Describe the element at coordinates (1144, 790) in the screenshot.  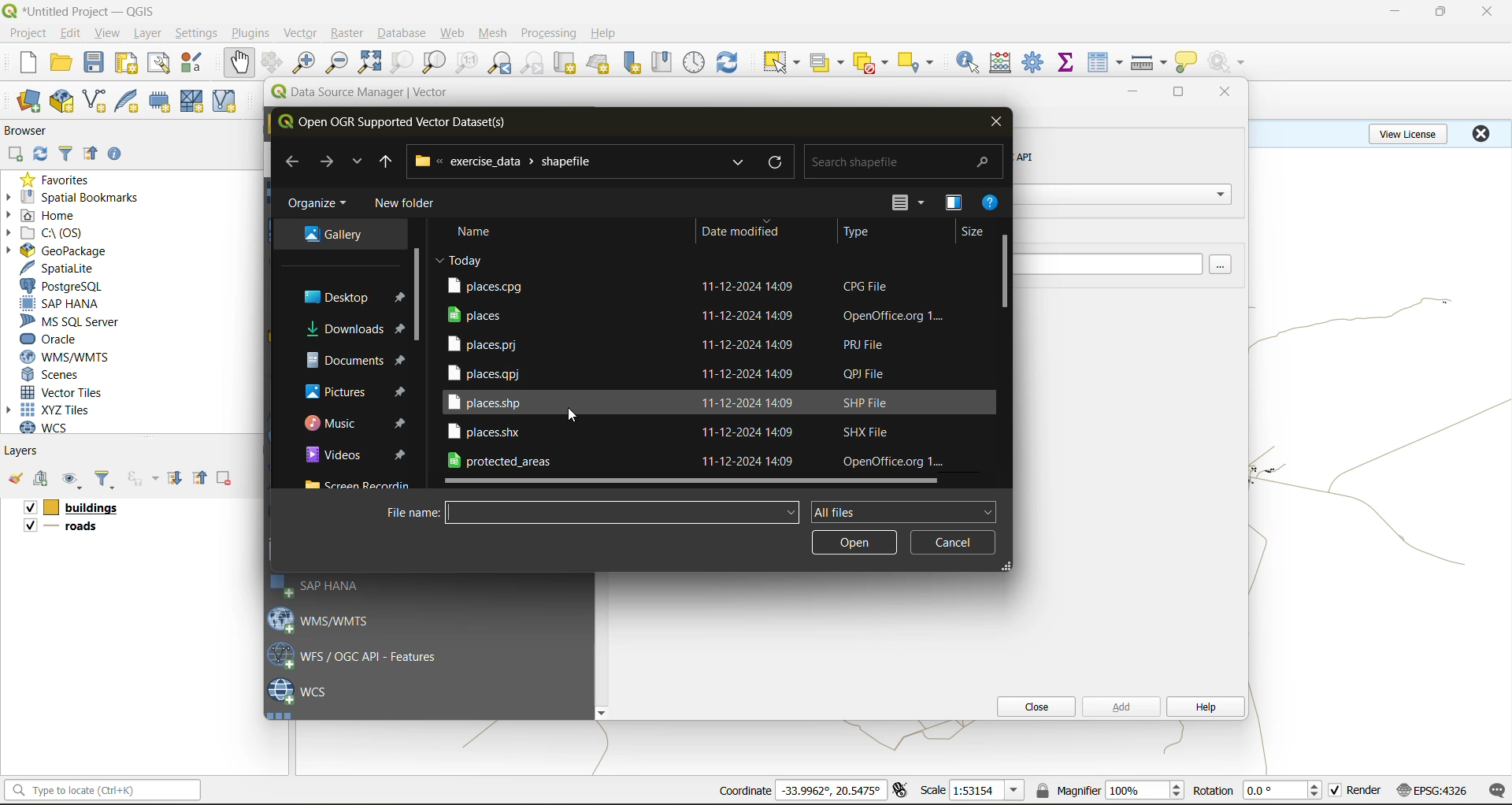
I see `magnifier` at that location.